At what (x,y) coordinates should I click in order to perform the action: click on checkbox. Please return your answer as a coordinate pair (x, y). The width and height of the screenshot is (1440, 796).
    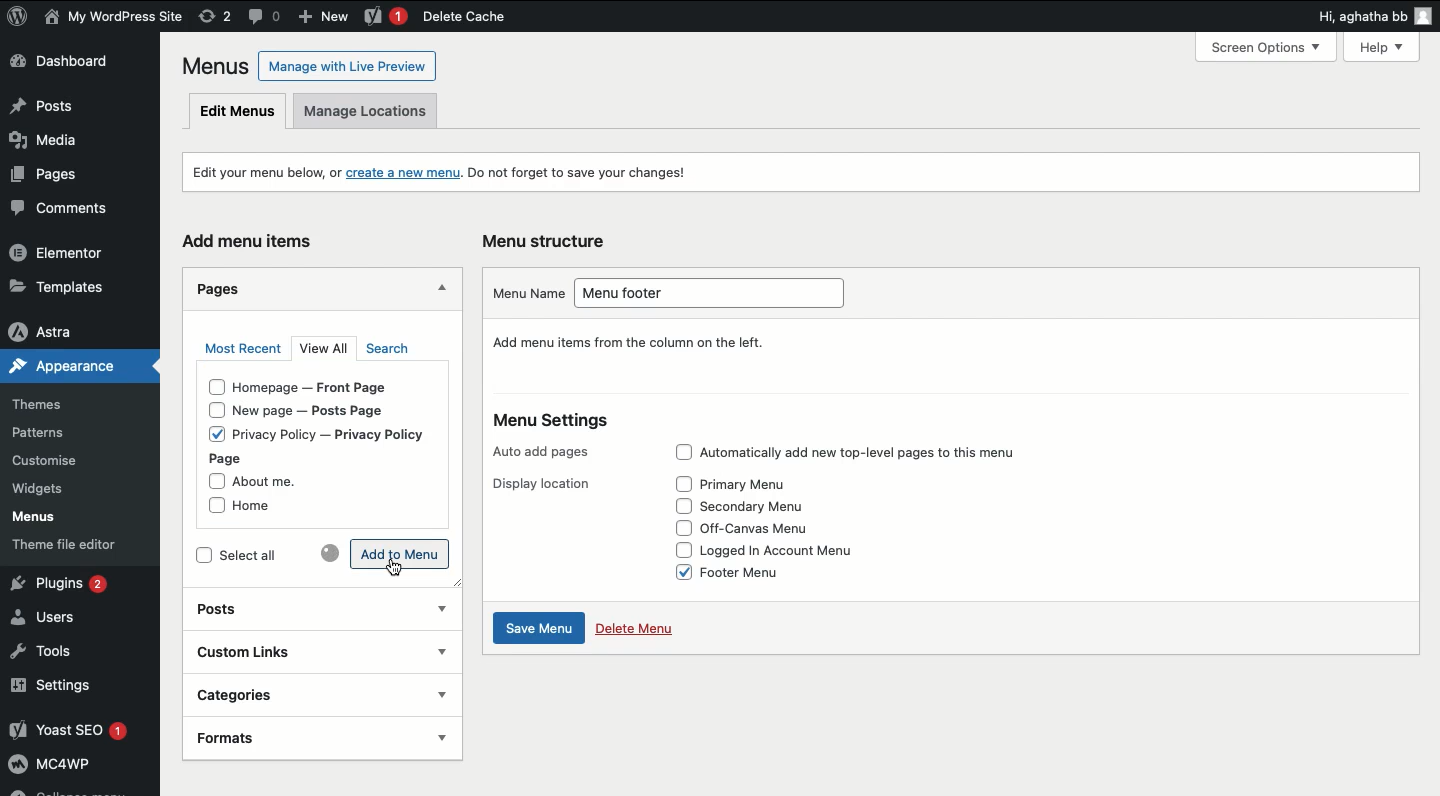
    Looking at the image, I should click on (214, 435).